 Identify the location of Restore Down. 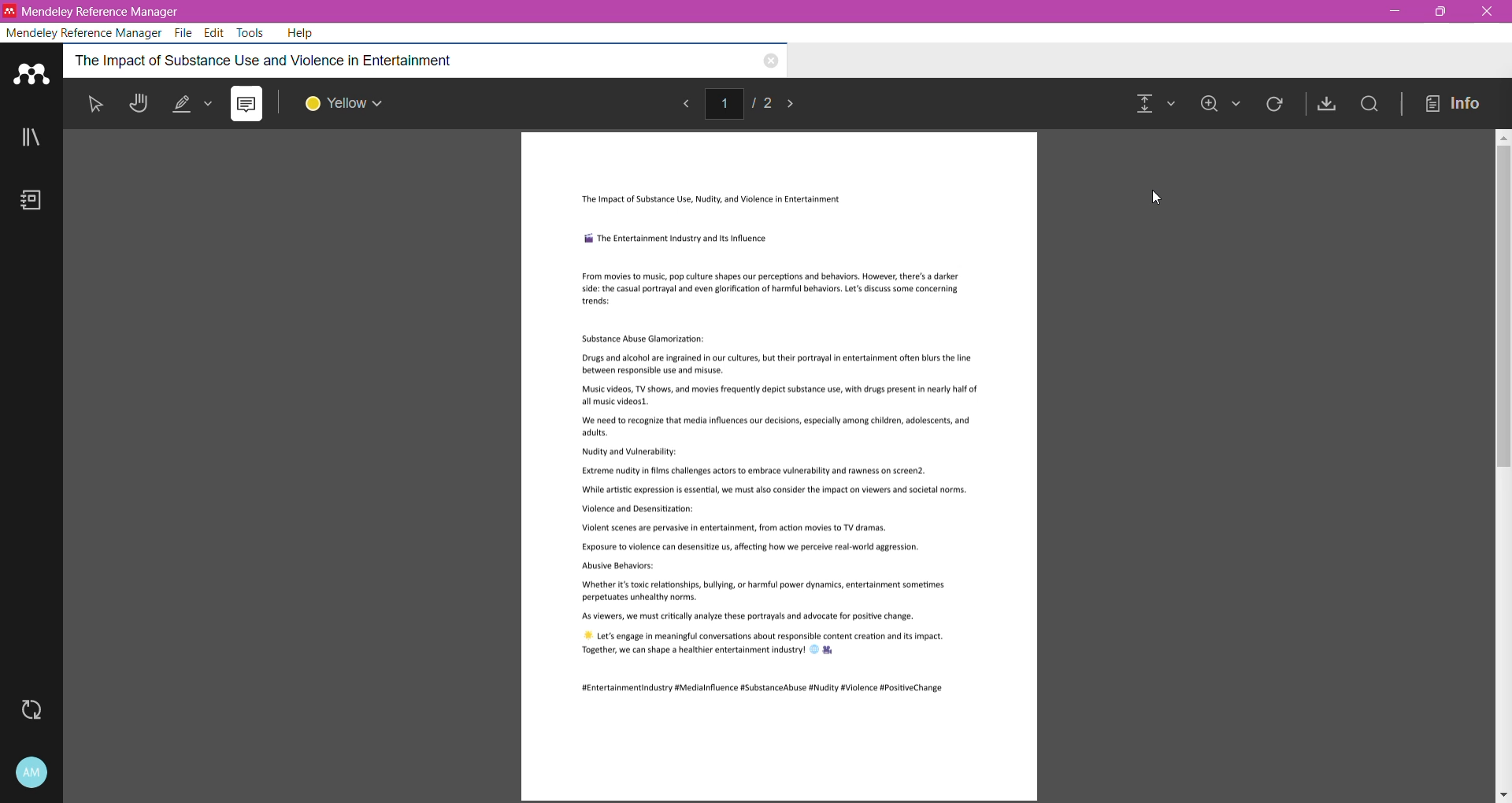
(1441, 11).